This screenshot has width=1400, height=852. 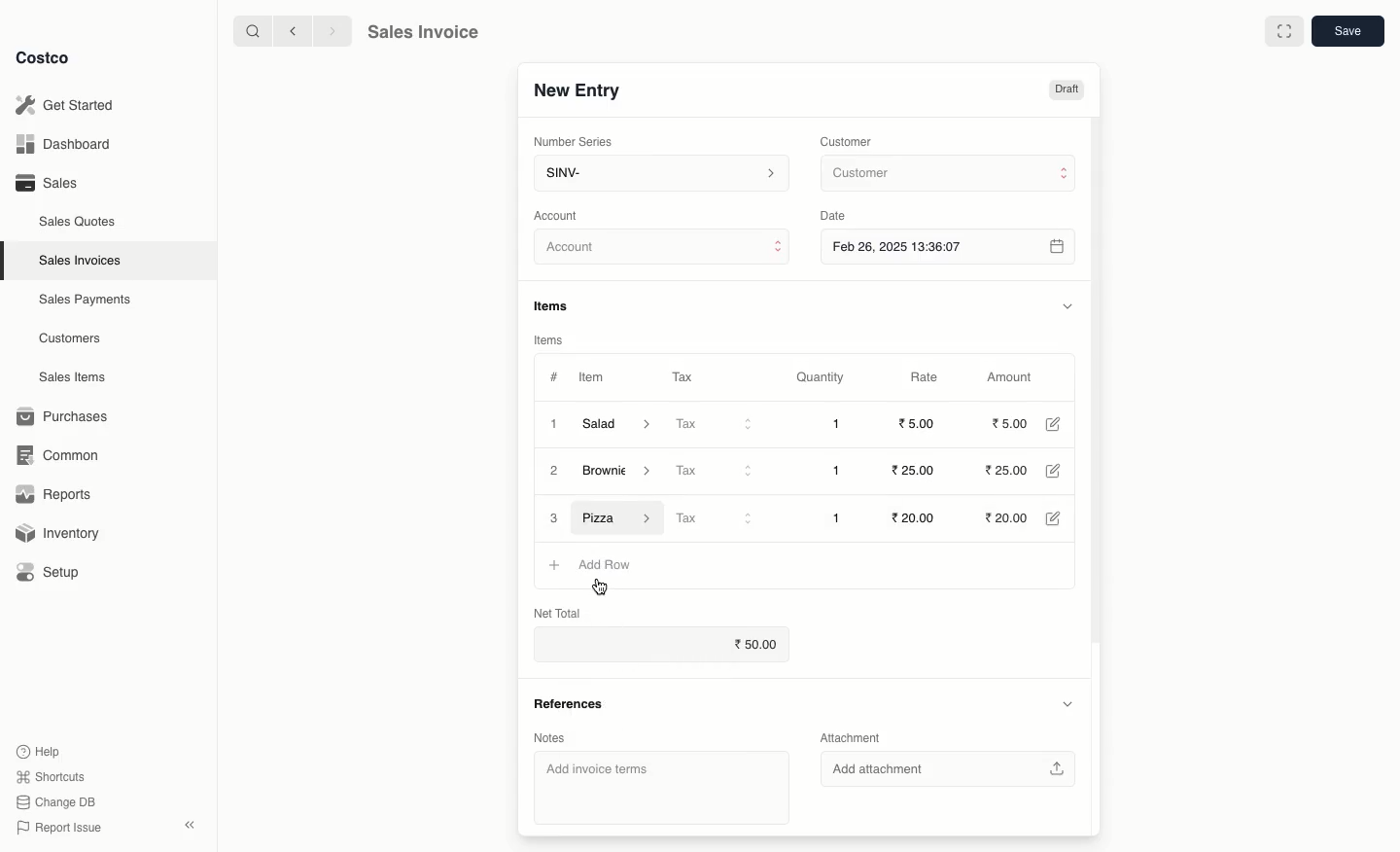 I want to click on Sales Invoices, so click(x=81, y=261).